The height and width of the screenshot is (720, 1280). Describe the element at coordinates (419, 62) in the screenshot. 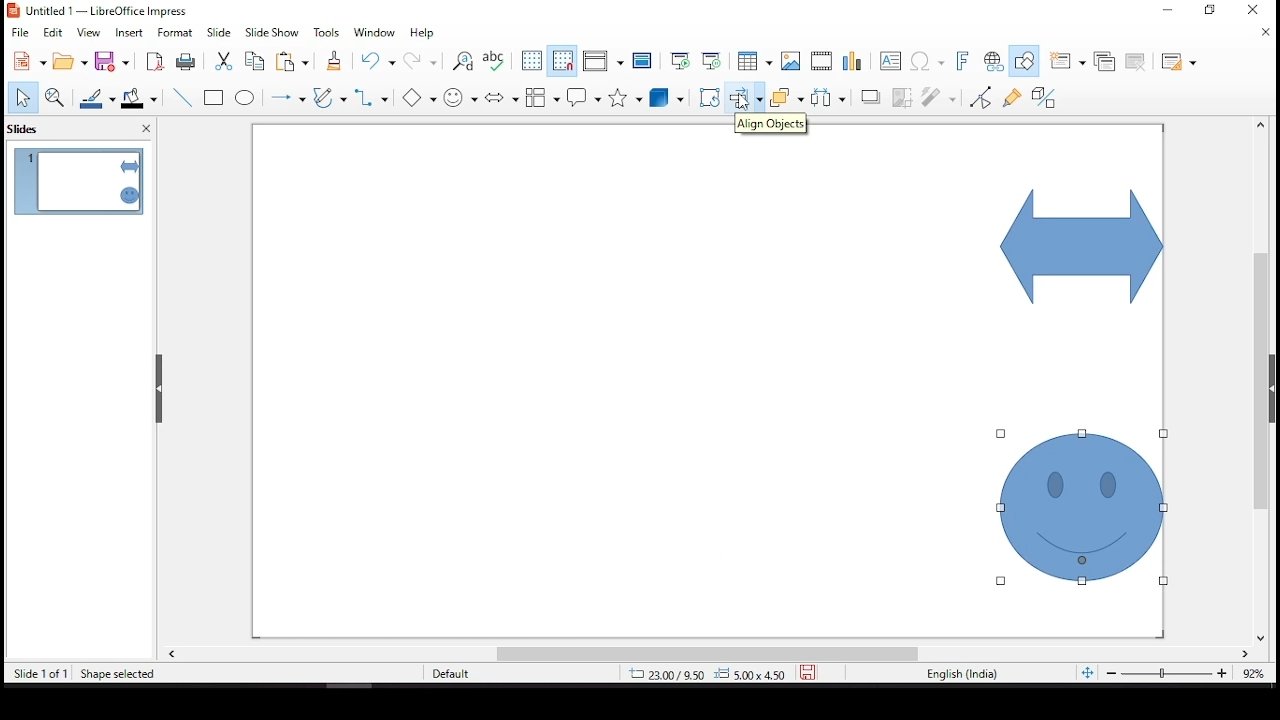

I see `redo` at that location.